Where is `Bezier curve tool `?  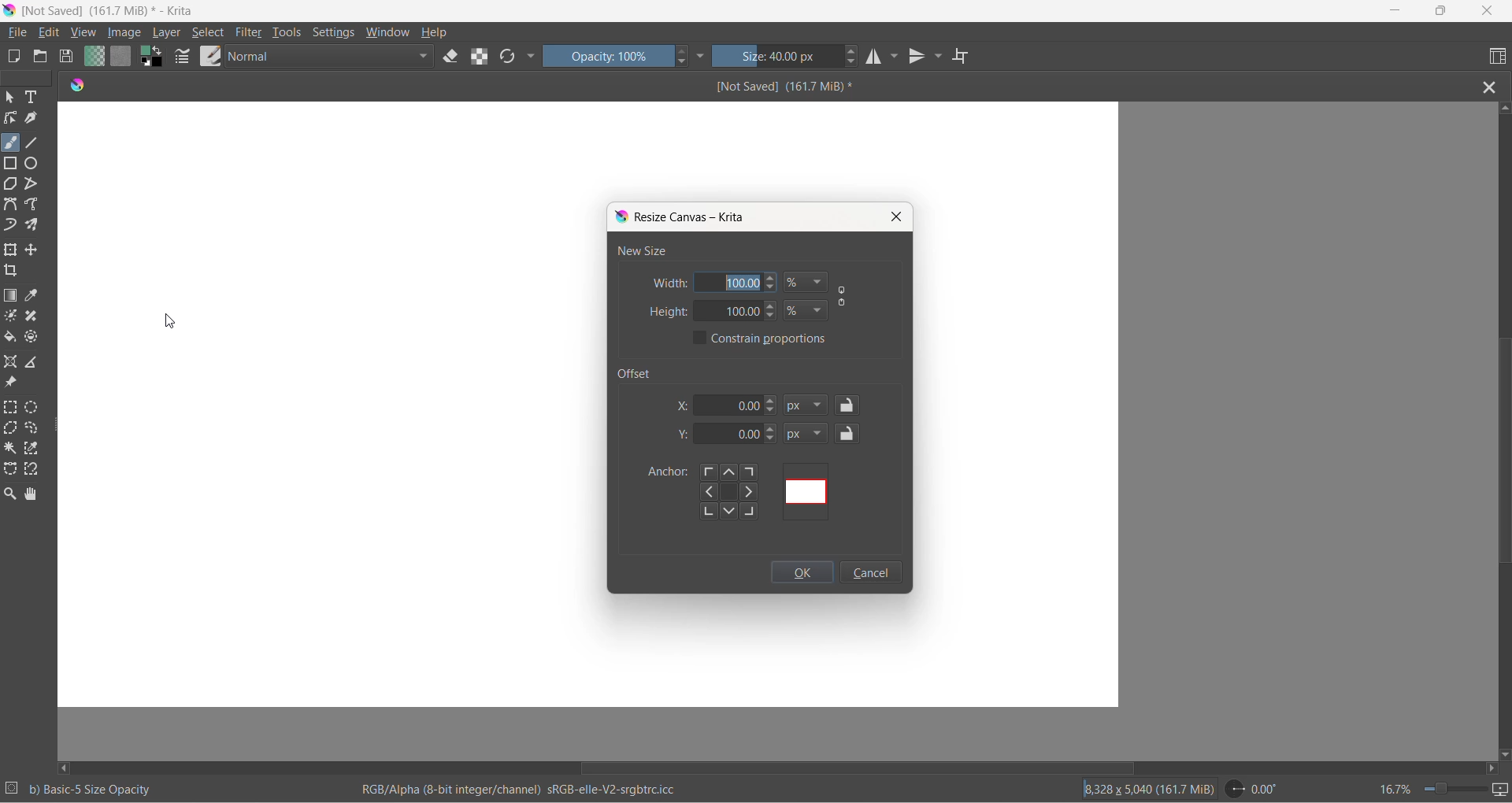 Bezier curve tool  is located at coordinates (13, 206).